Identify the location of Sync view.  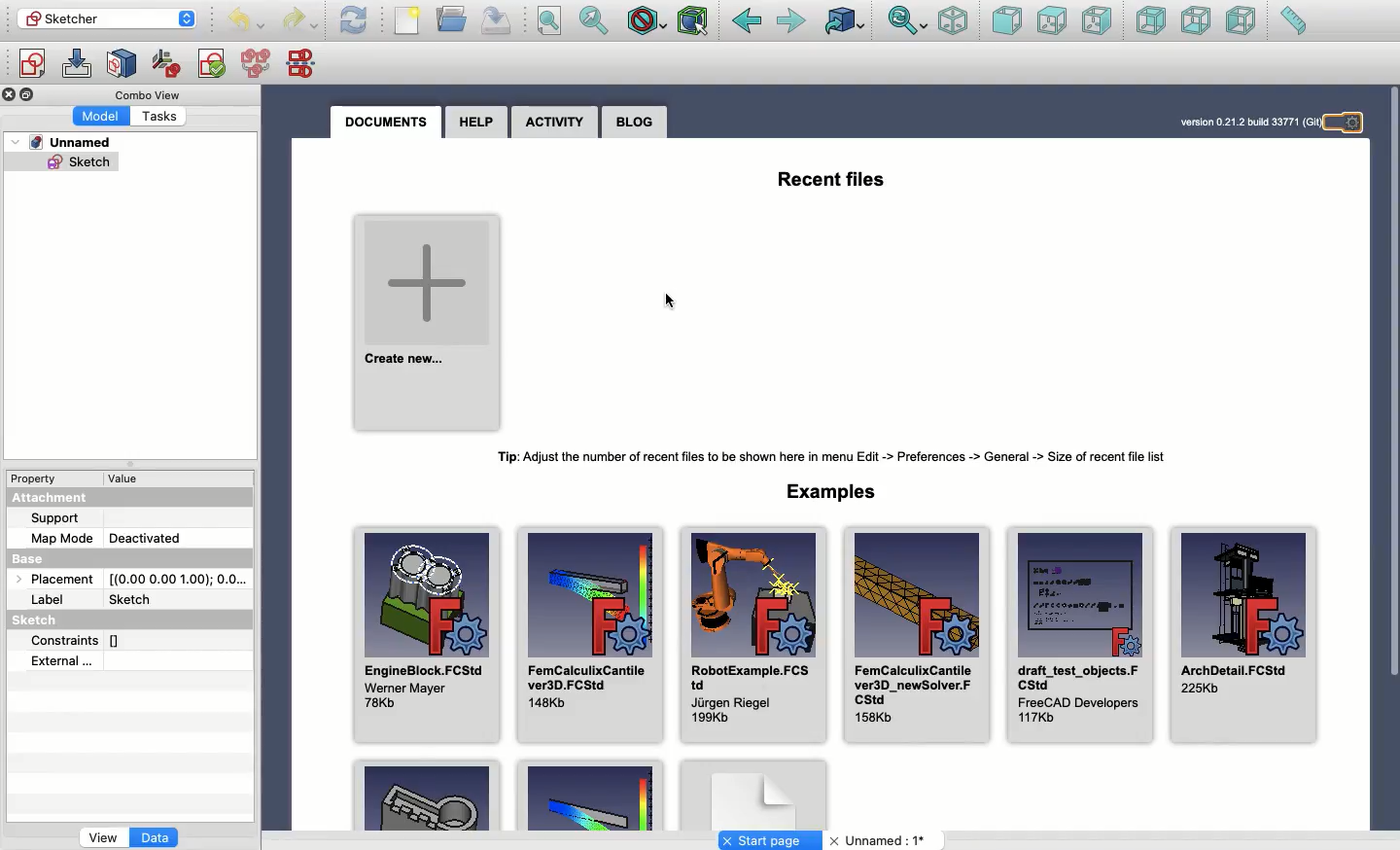
(906, 21).